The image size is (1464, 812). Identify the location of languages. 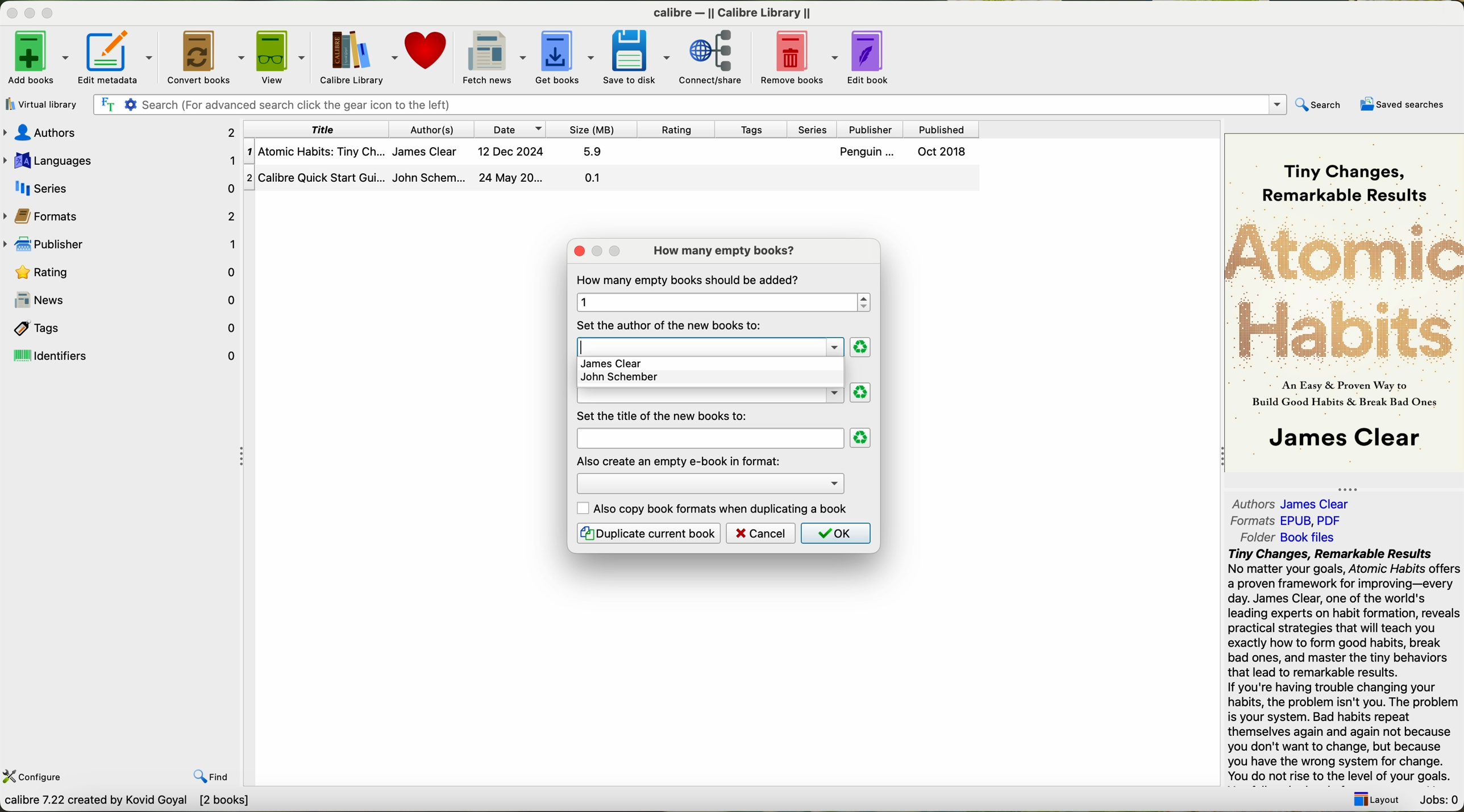
(121, 159).